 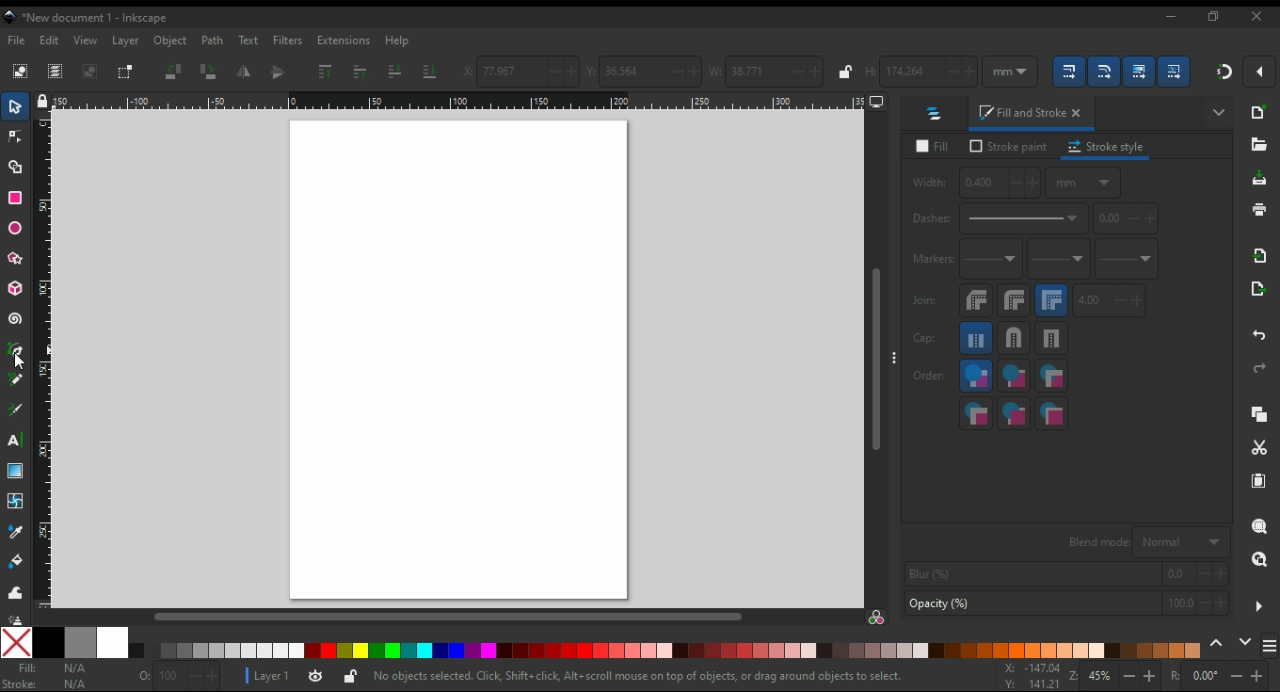 What do you see at coordinates (1263, 414) in the screenshot?
I see `copy` at bounding box center [1263, 414].